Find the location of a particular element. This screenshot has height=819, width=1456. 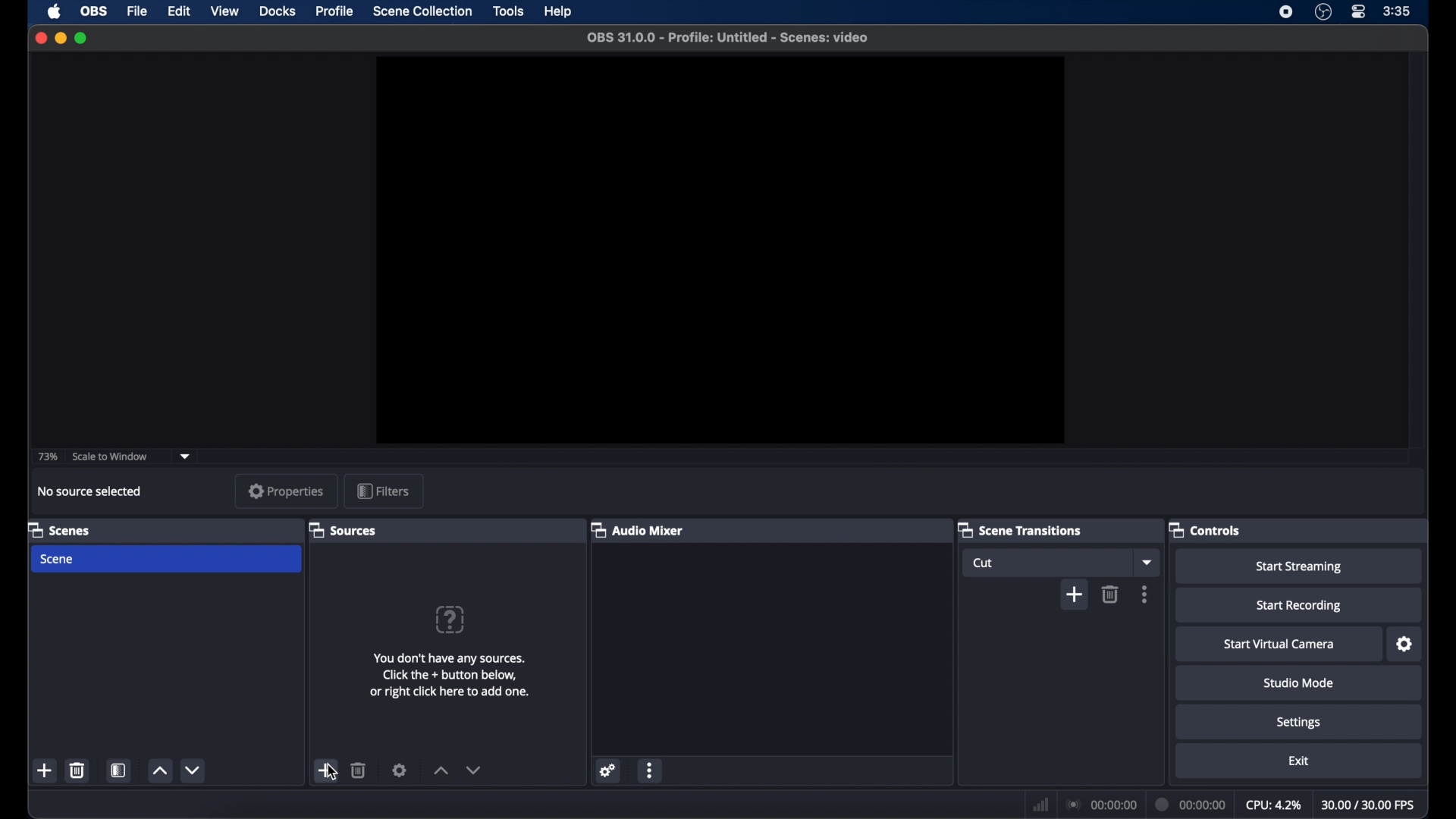

screen recording is located at coordinates (1286, 12).